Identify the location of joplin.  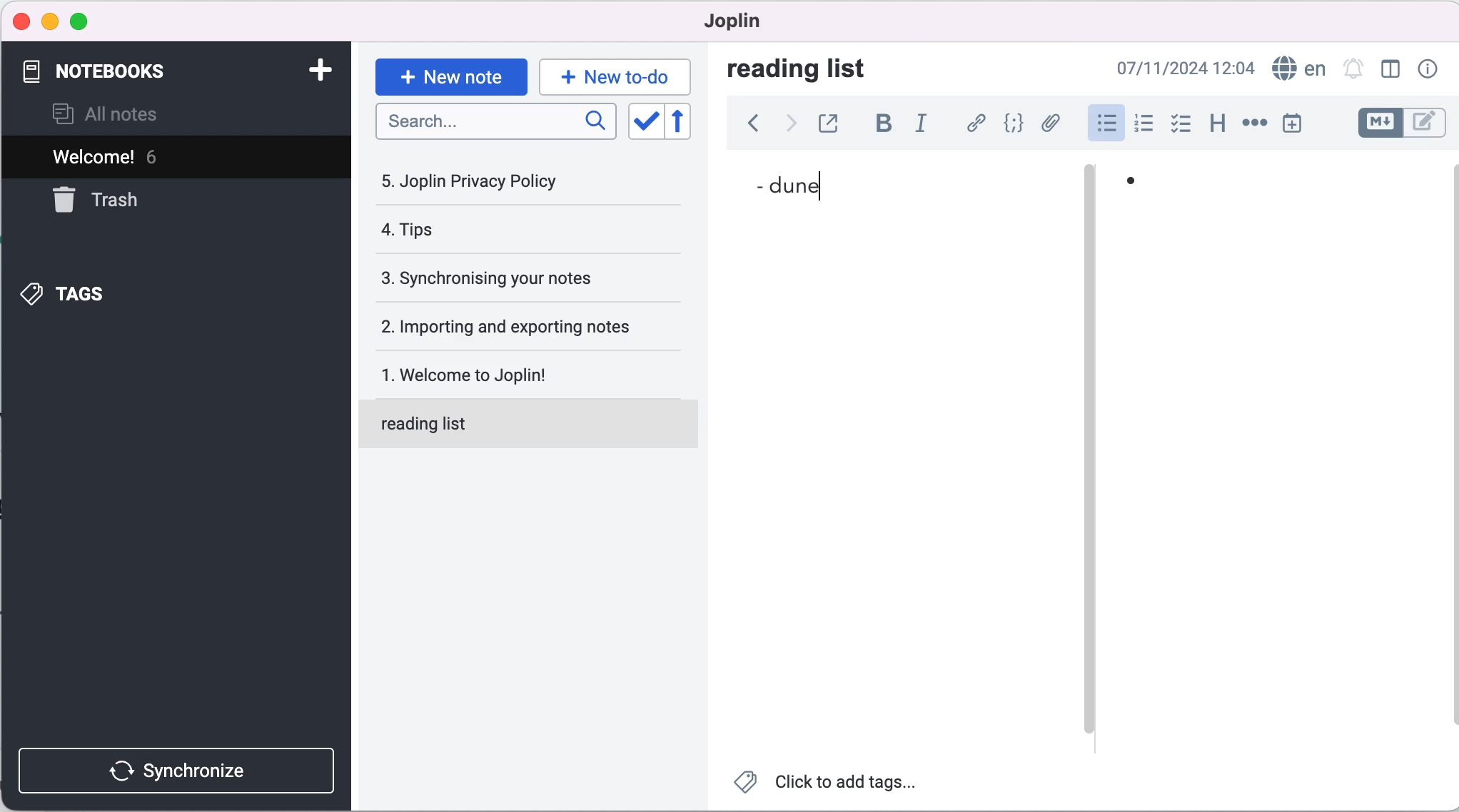
(757, 23).